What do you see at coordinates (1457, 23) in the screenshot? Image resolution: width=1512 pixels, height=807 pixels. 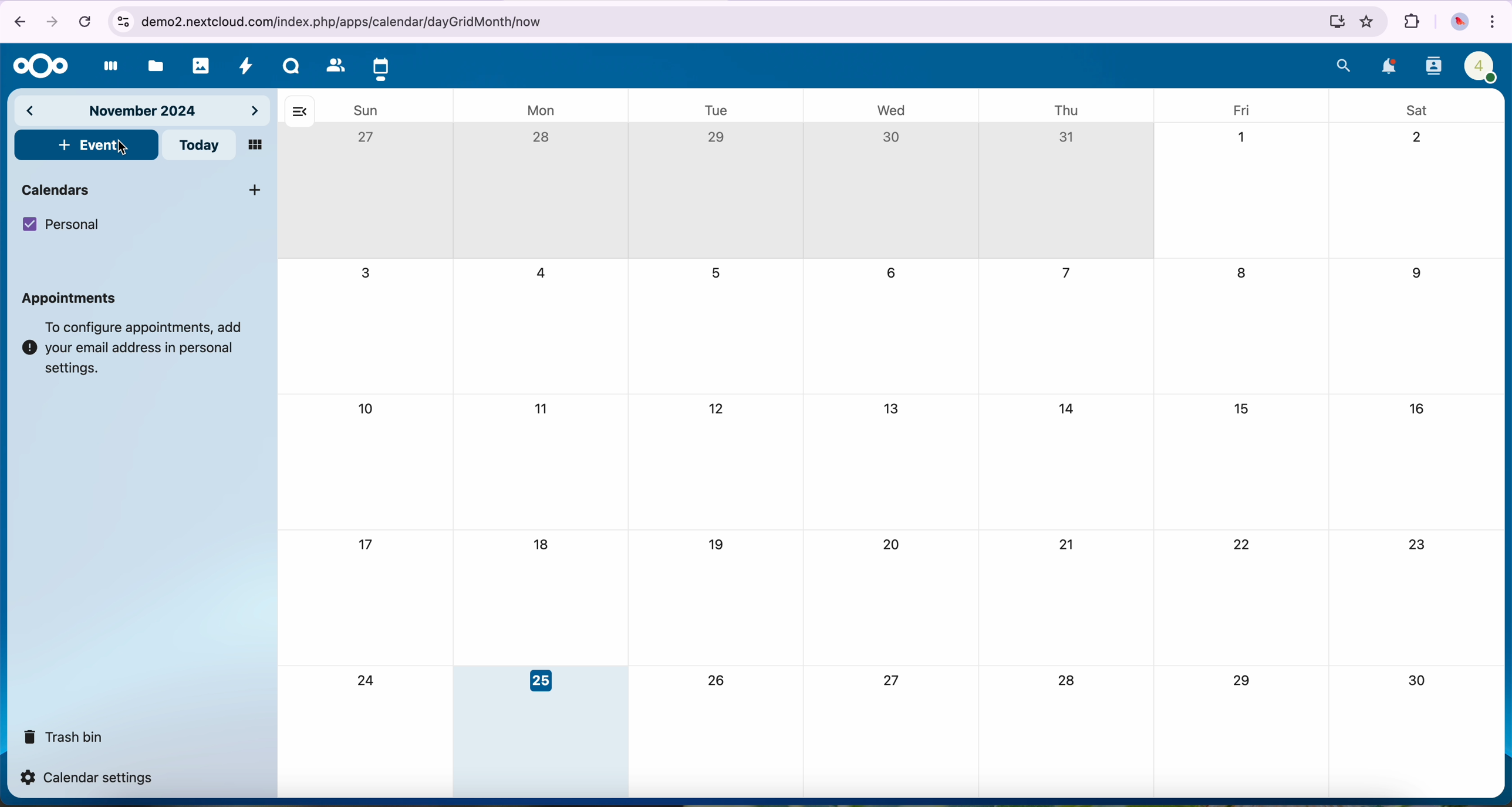 I see `profile picture` at bounding box center [1457, 23].